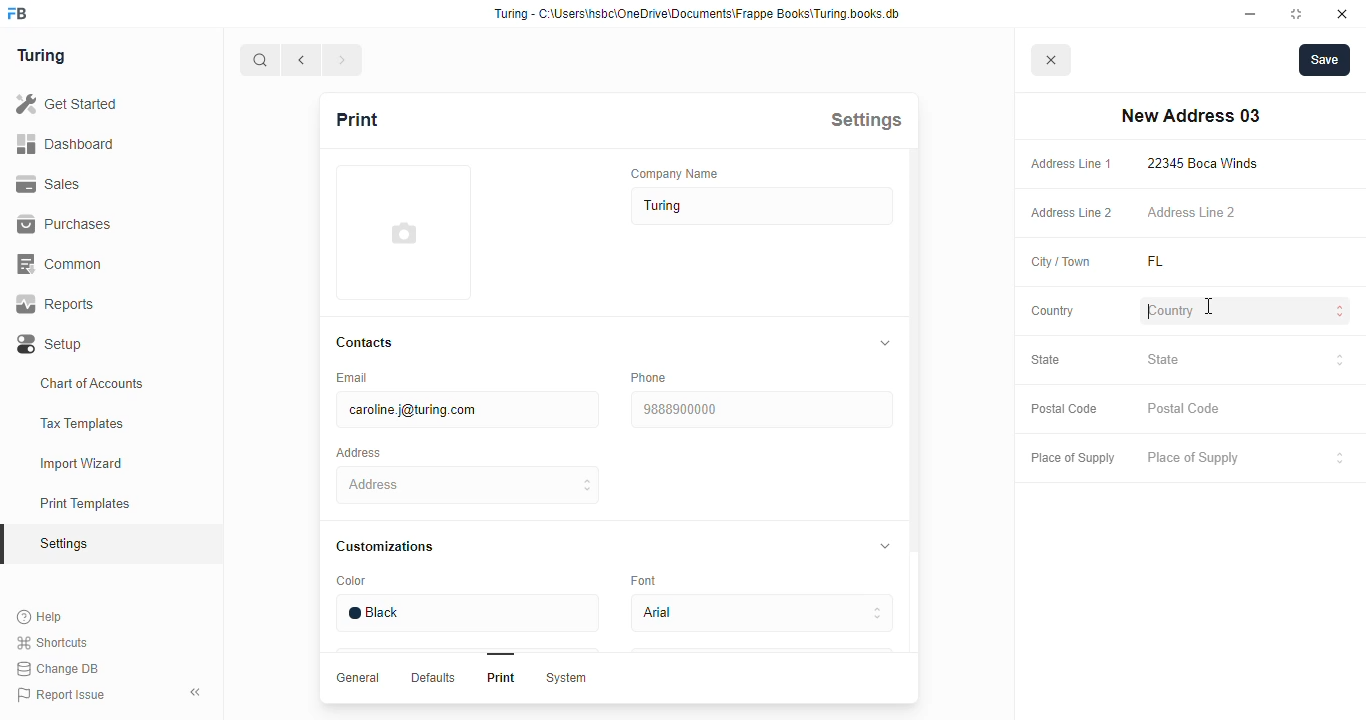 The image size is (1366, 720). I want to click on Turing - C:\Users\hshc\OneDrive\Documents\Frappe Books\Turing.books.db, so click(699, 14).